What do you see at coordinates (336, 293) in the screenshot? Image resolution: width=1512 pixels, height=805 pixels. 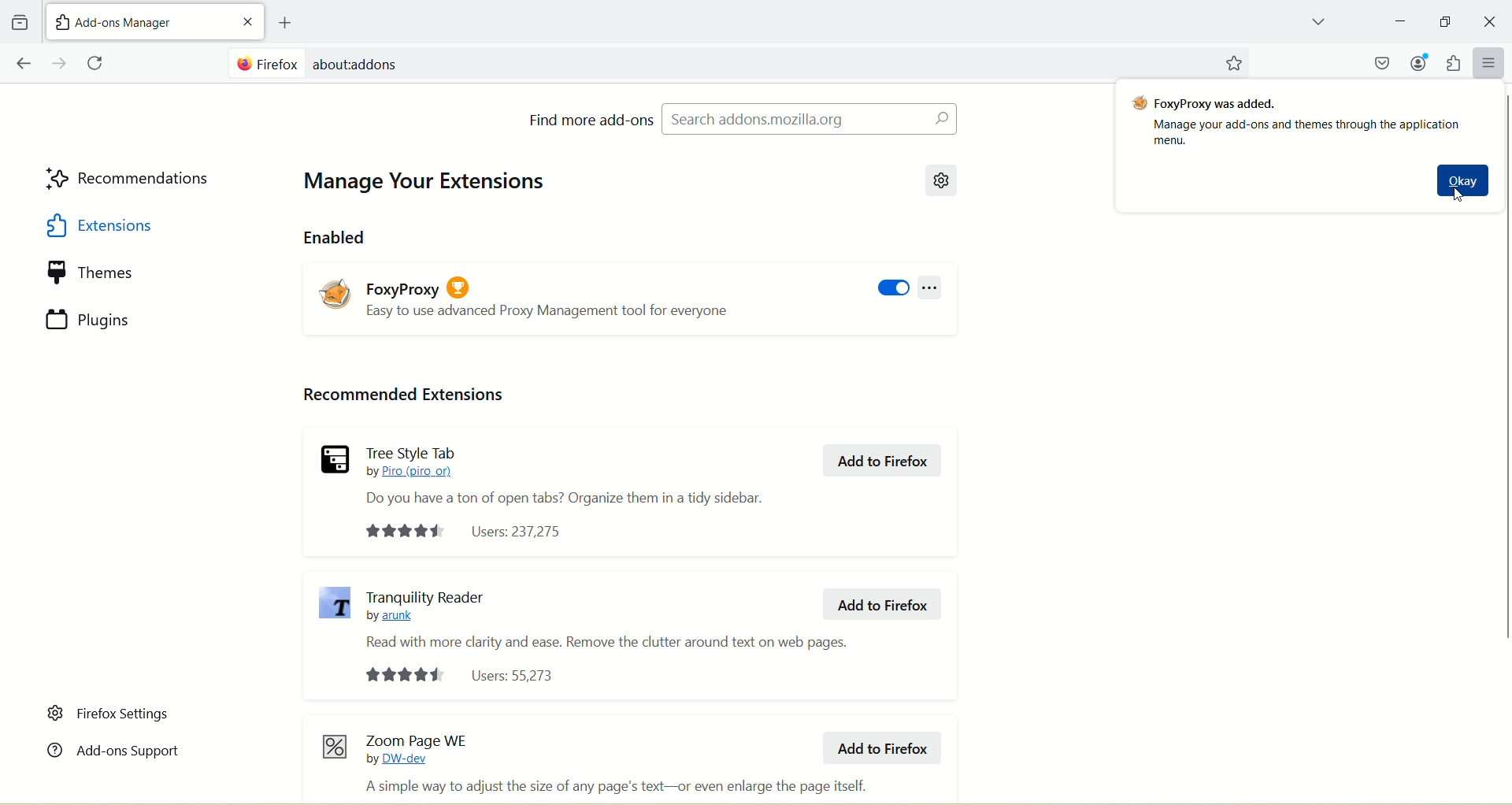 I see `FoxyProxy Icon` at bounding box center [336, 293].